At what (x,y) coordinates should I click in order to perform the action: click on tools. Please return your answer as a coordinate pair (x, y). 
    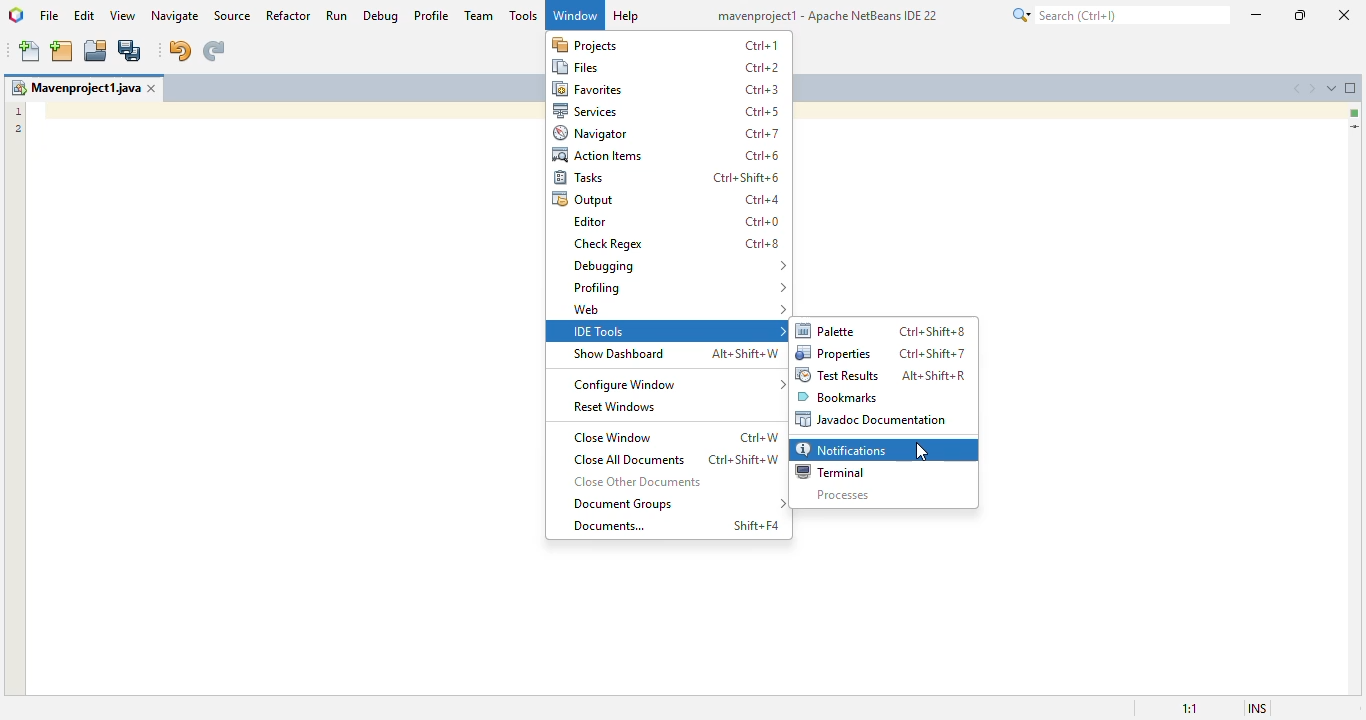
    Looking at the image, I should click on (524, 15).